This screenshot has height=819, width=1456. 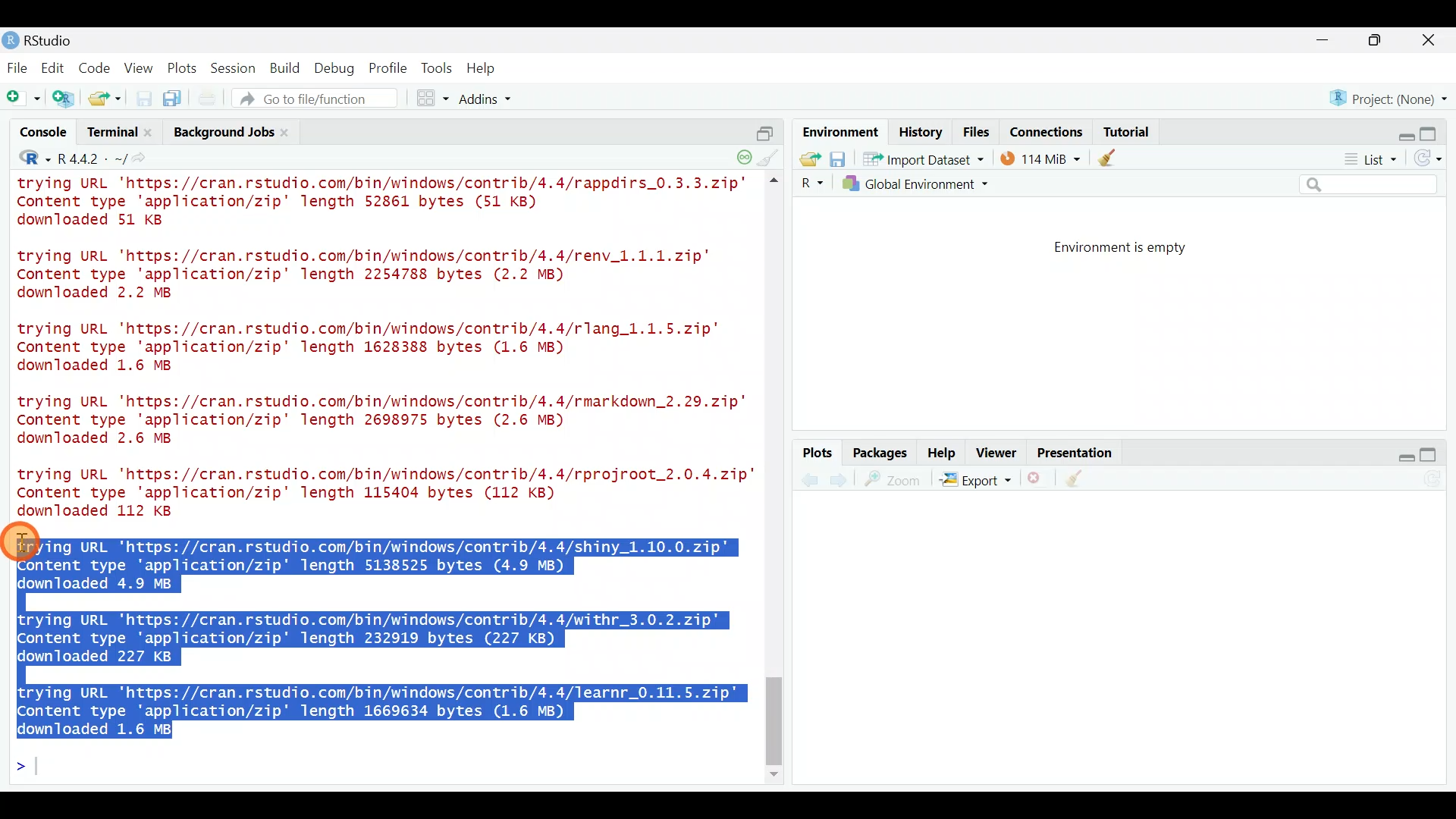 I want to click on Save all open documents, so click(x=174, y=99).